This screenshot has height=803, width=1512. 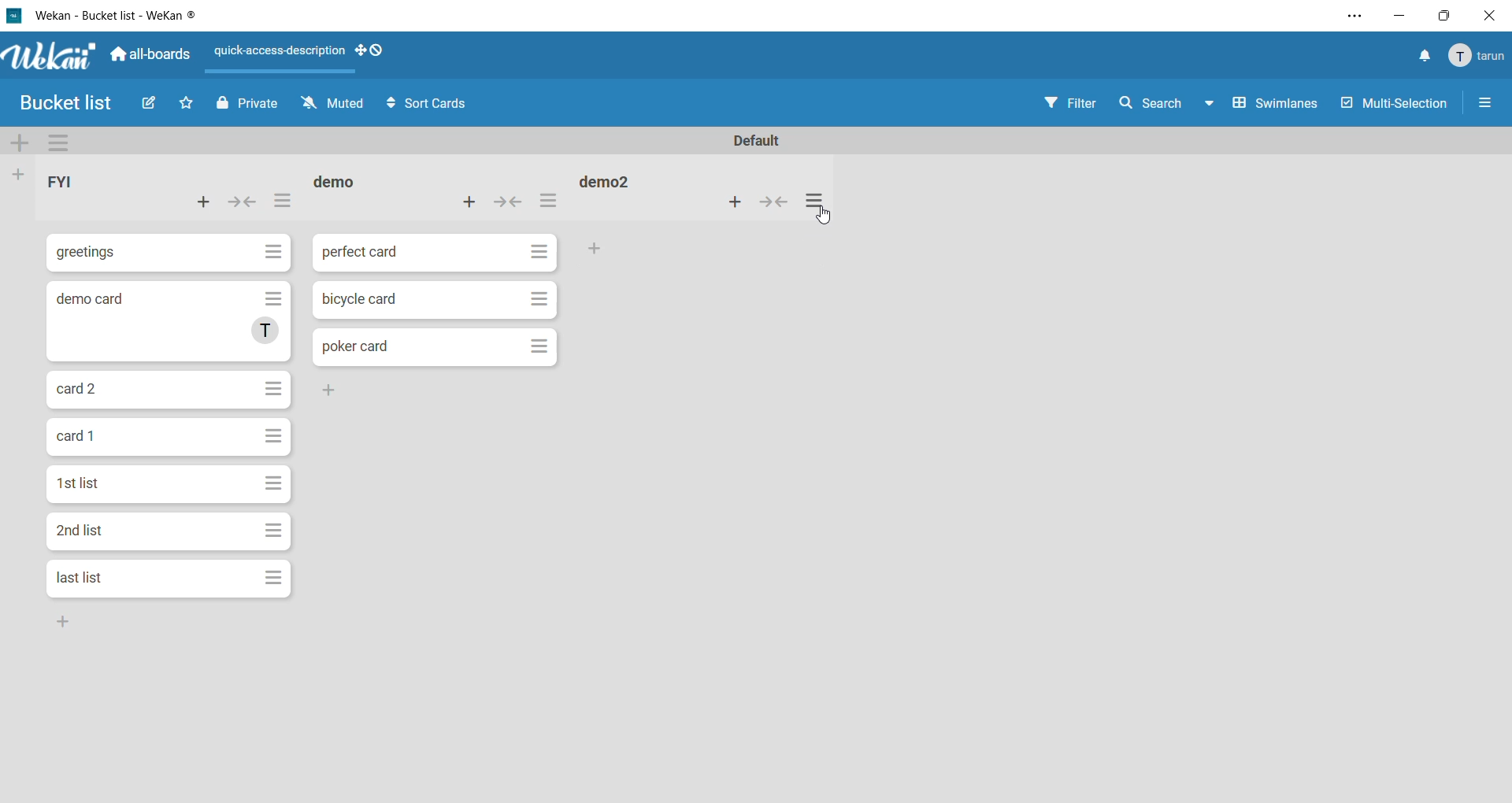 I want to click on list actions, so click(x=554, y=202).